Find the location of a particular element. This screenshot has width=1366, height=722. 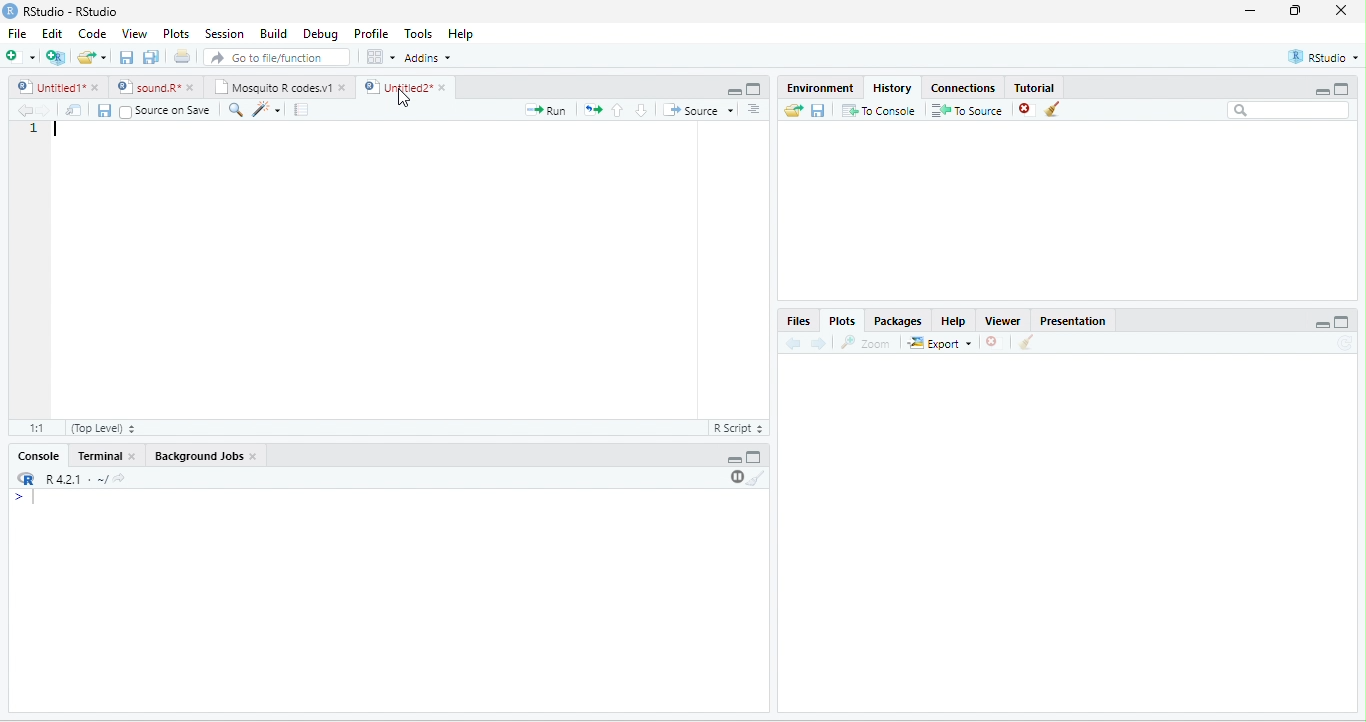

forward is located at coordinates (46, 111).